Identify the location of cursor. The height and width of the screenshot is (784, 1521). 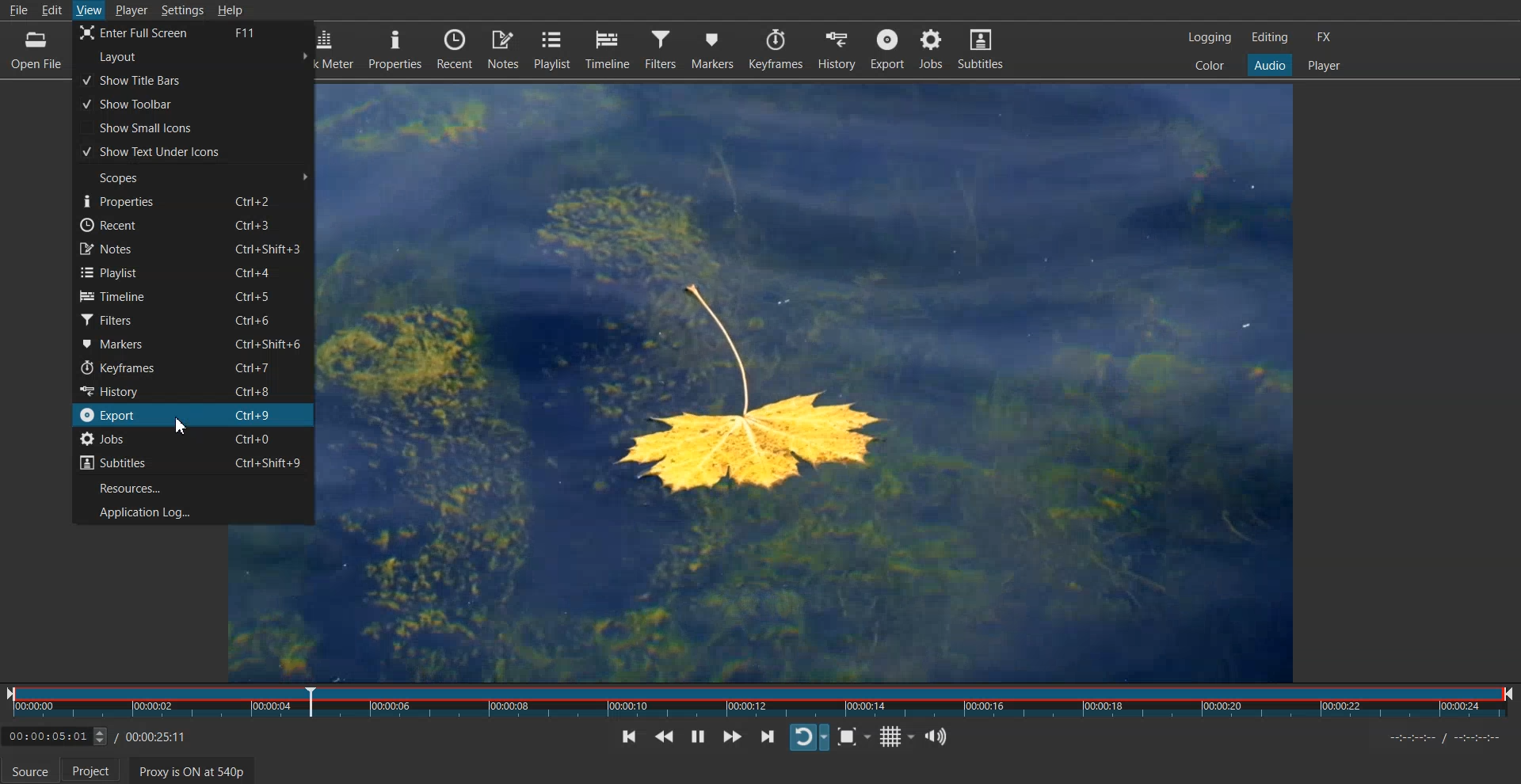
(180, 427).